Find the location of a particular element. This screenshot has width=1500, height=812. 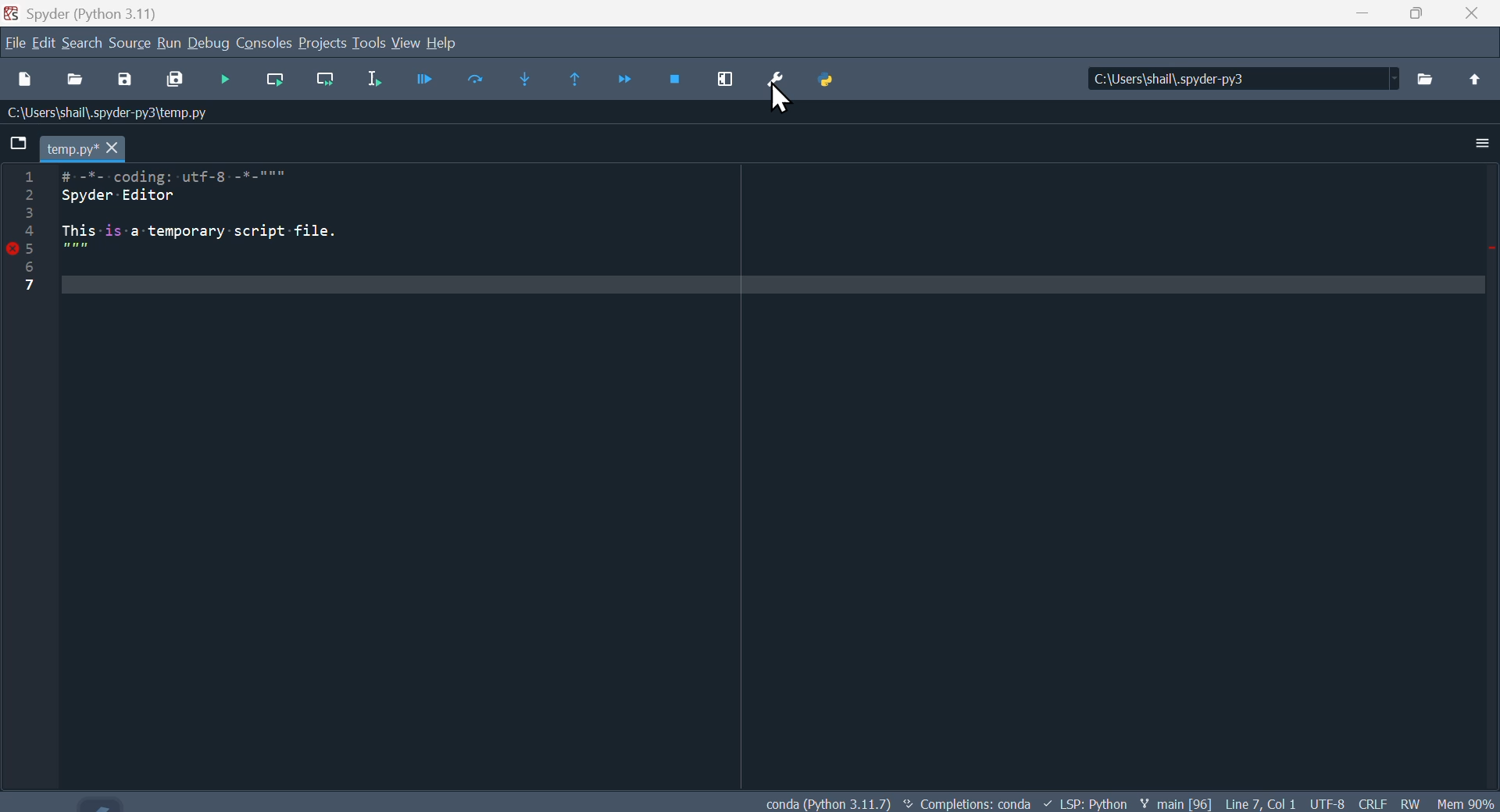

Save all is located at coordinates (179, 78).